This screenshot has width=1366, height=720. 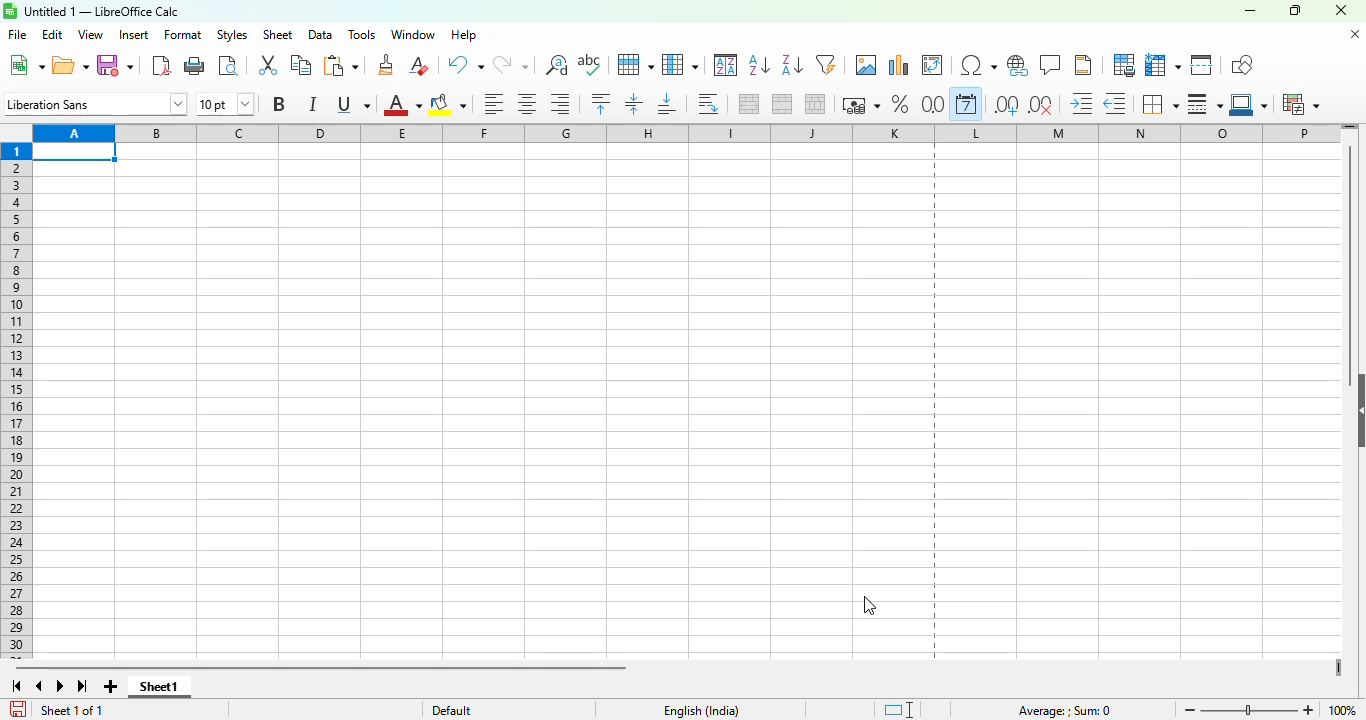 I want to click on column, so click(x=680, y=65).